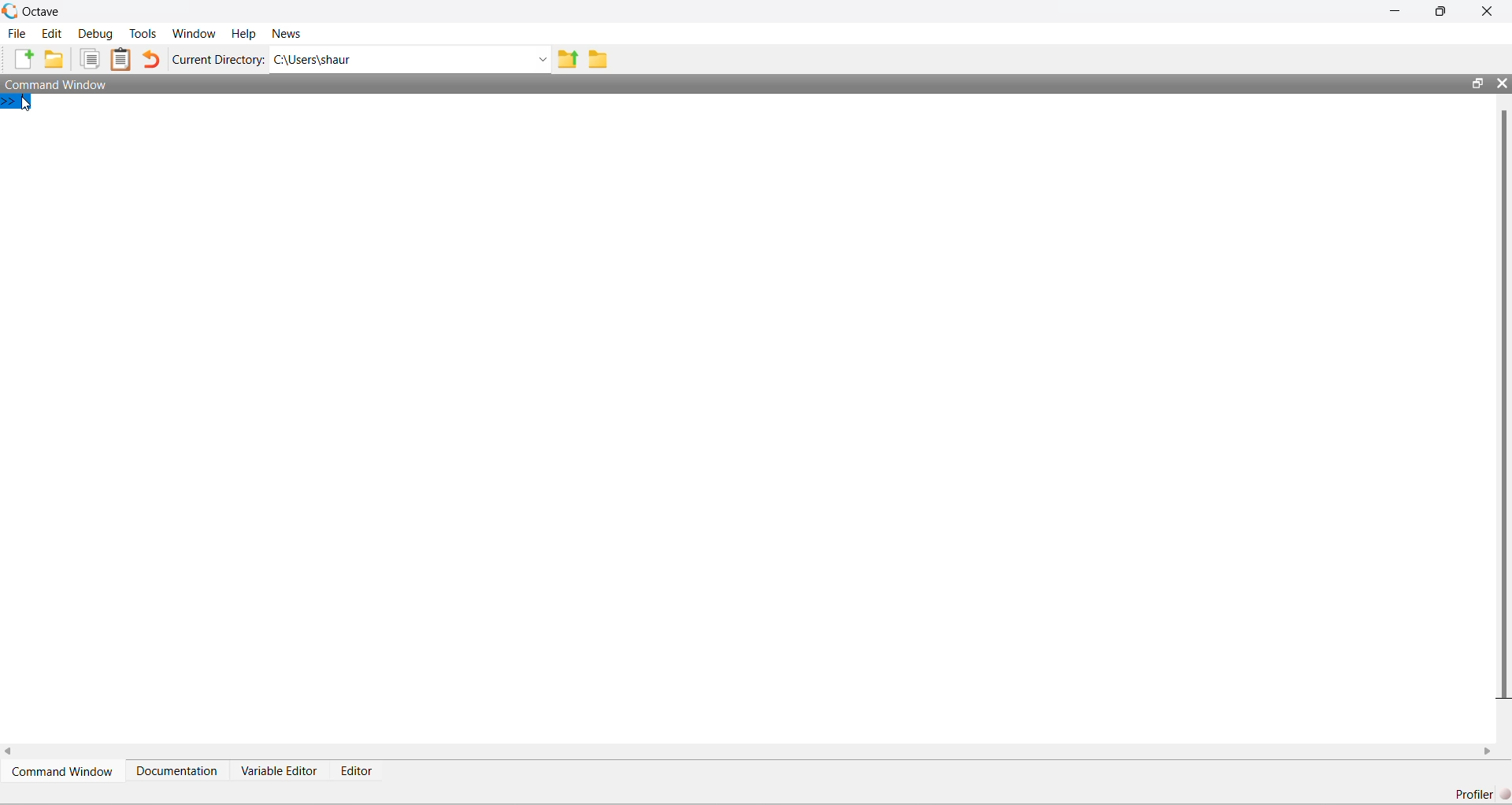  What do you see at coordinates (358, 771) in the screenshot?
I see `Editor` at bounding box center [358, 771].